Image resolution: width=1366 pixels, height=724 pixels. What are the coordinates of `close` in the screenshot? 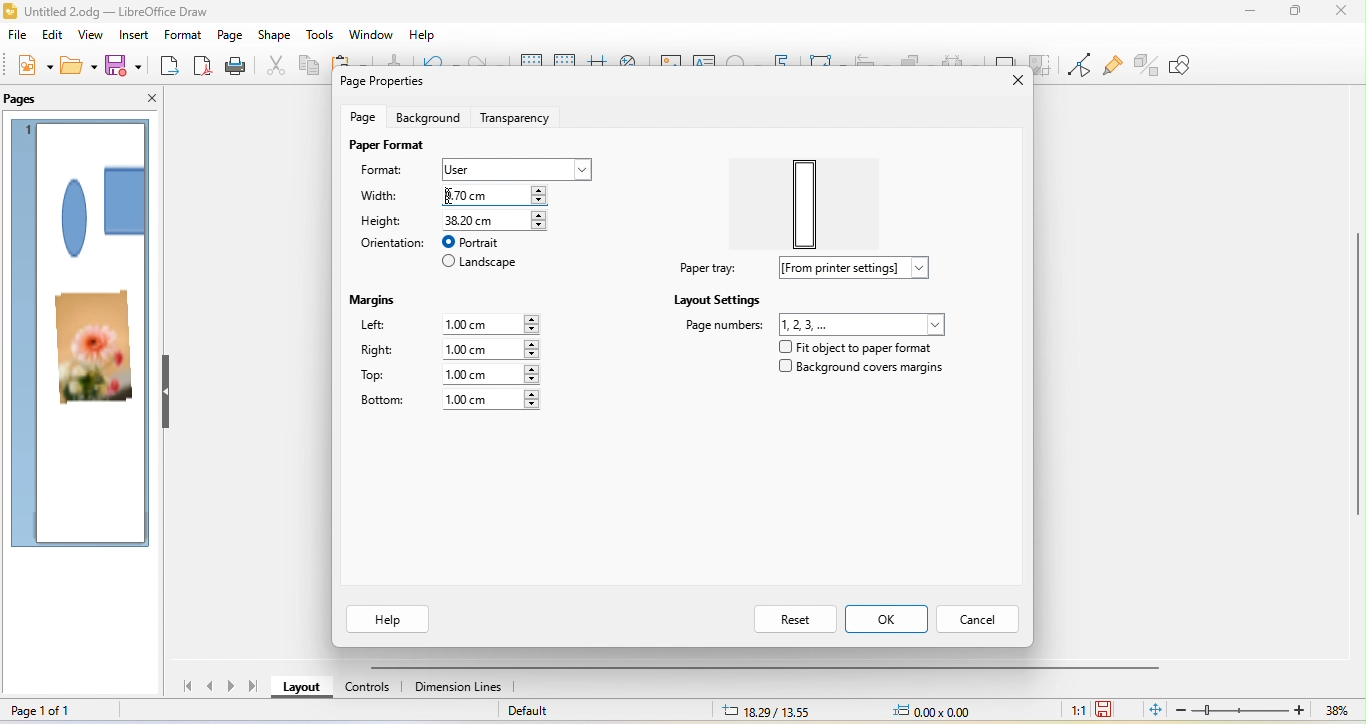 It's located at (1013, 82).